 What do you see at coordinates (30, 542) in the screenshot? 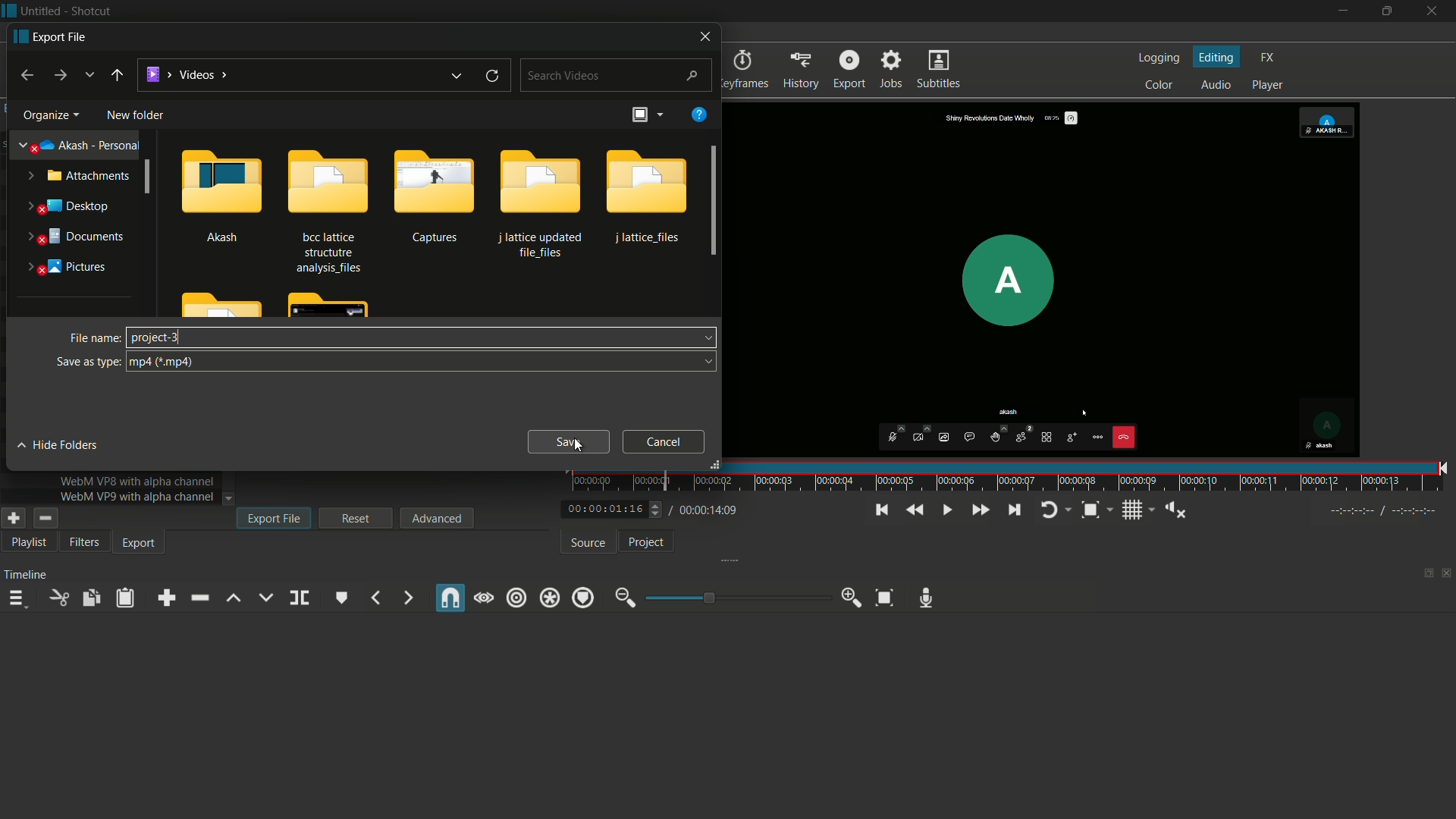
I see `playlist` at bounding box center [30, 542].